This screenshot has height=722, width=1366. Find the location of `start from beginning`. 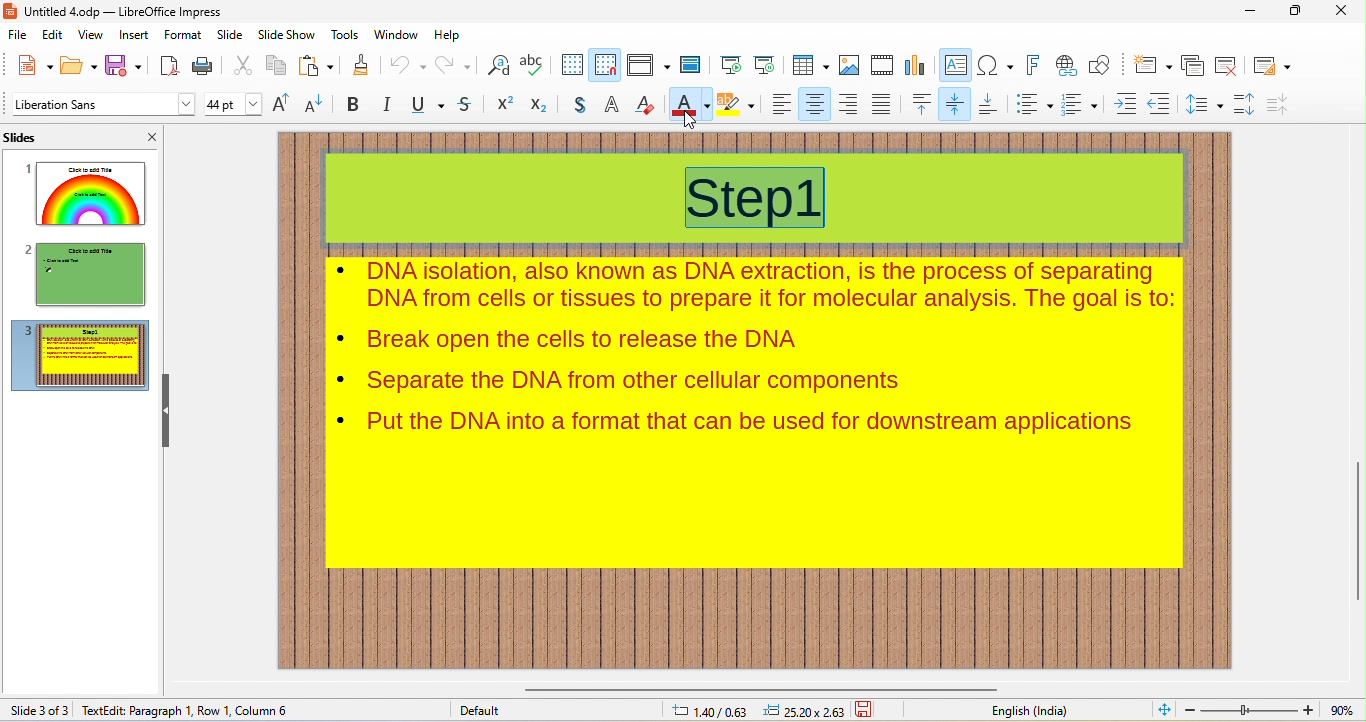

start from beginning is located at coordinates (728, 63).